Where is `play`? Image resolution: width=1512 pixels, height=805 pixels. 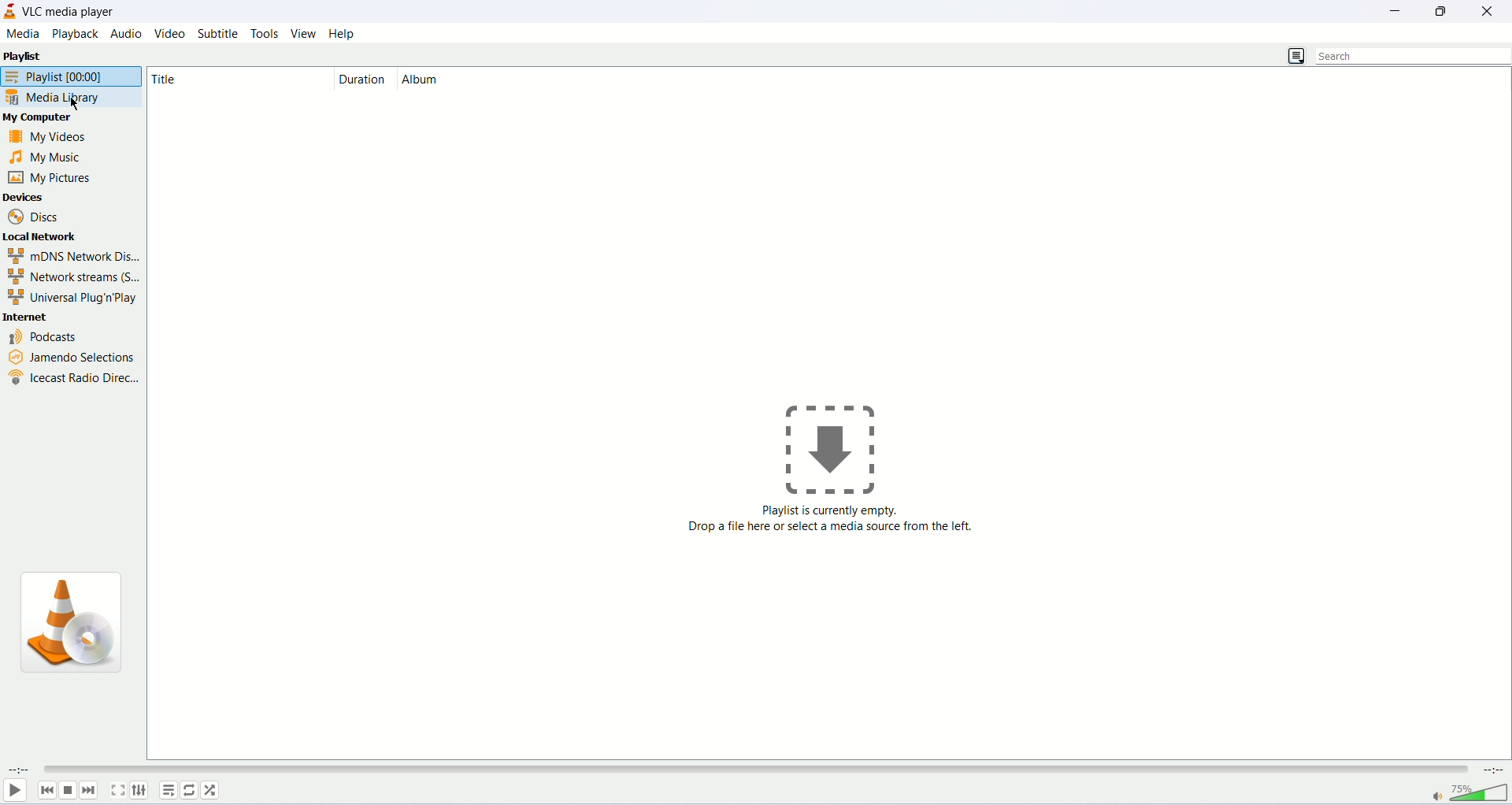
play is located at coordinates (13, 791).